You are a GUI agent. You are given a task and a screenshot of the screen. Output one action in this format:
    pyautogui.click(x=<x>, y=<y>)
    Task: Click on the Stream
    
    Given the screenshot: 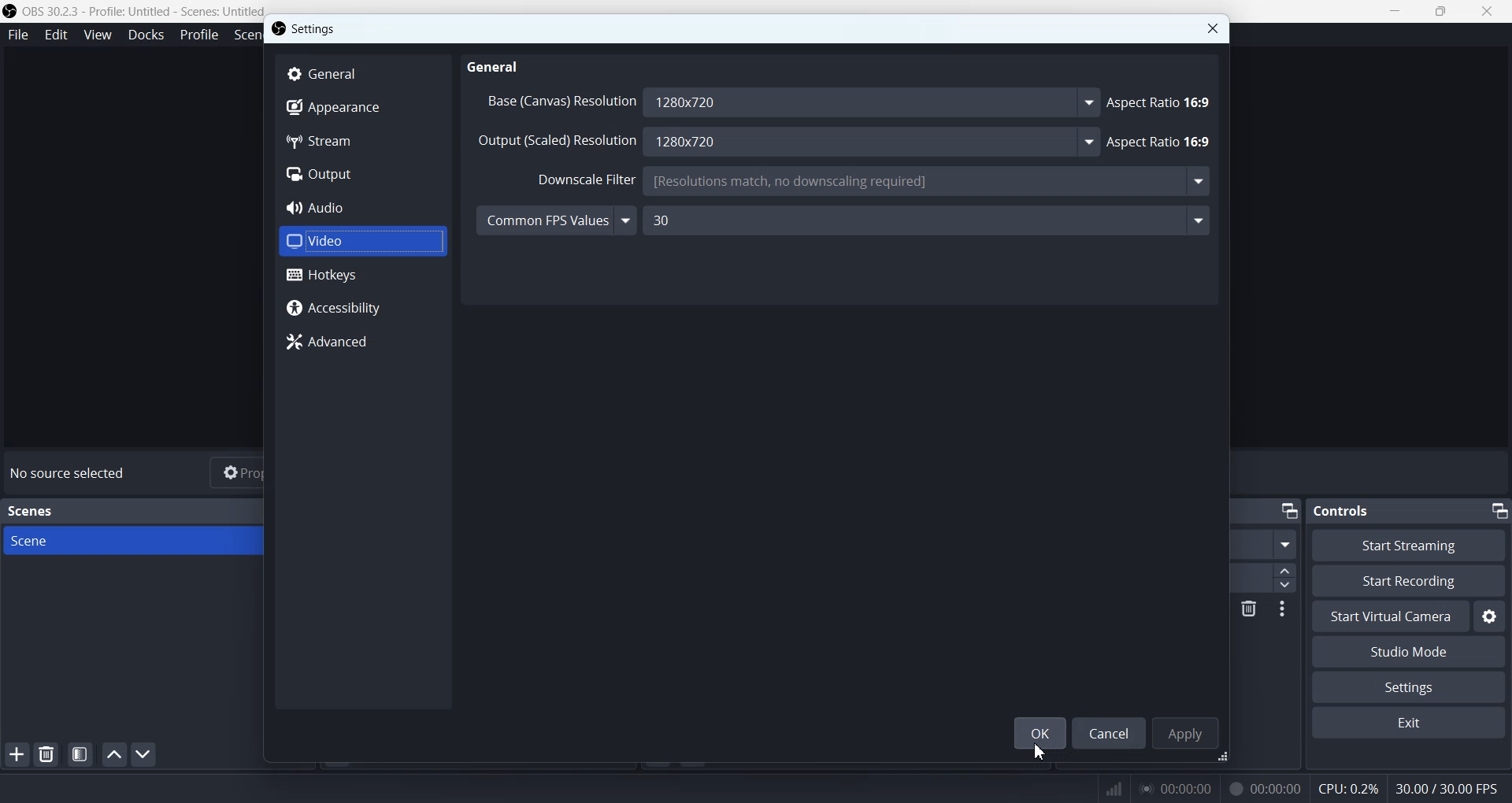 What is the action you would take?
    pyautogui.click(x=361, y=140)
    